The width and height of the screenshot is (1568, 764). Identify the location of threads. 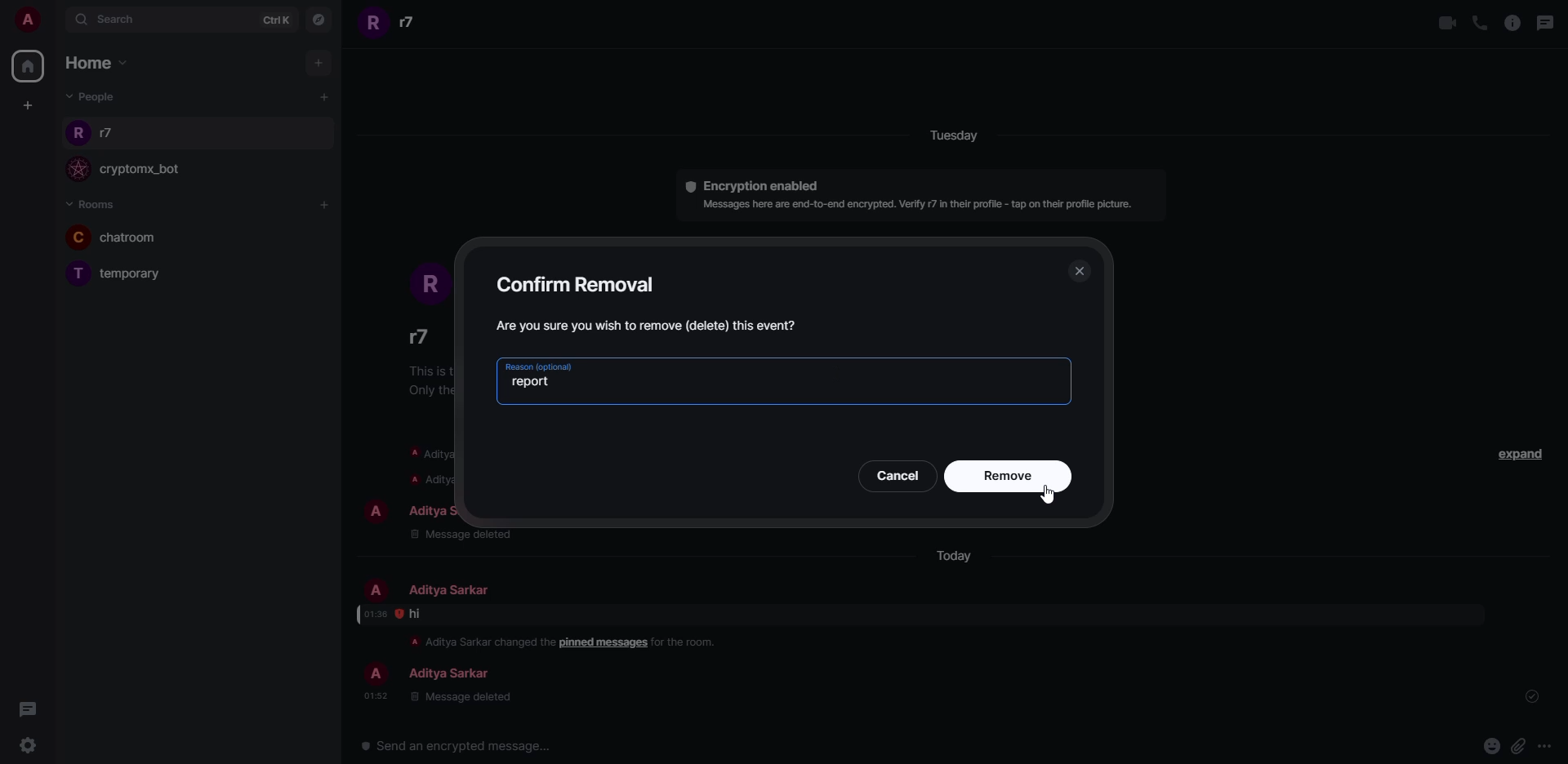
(1548, 22).